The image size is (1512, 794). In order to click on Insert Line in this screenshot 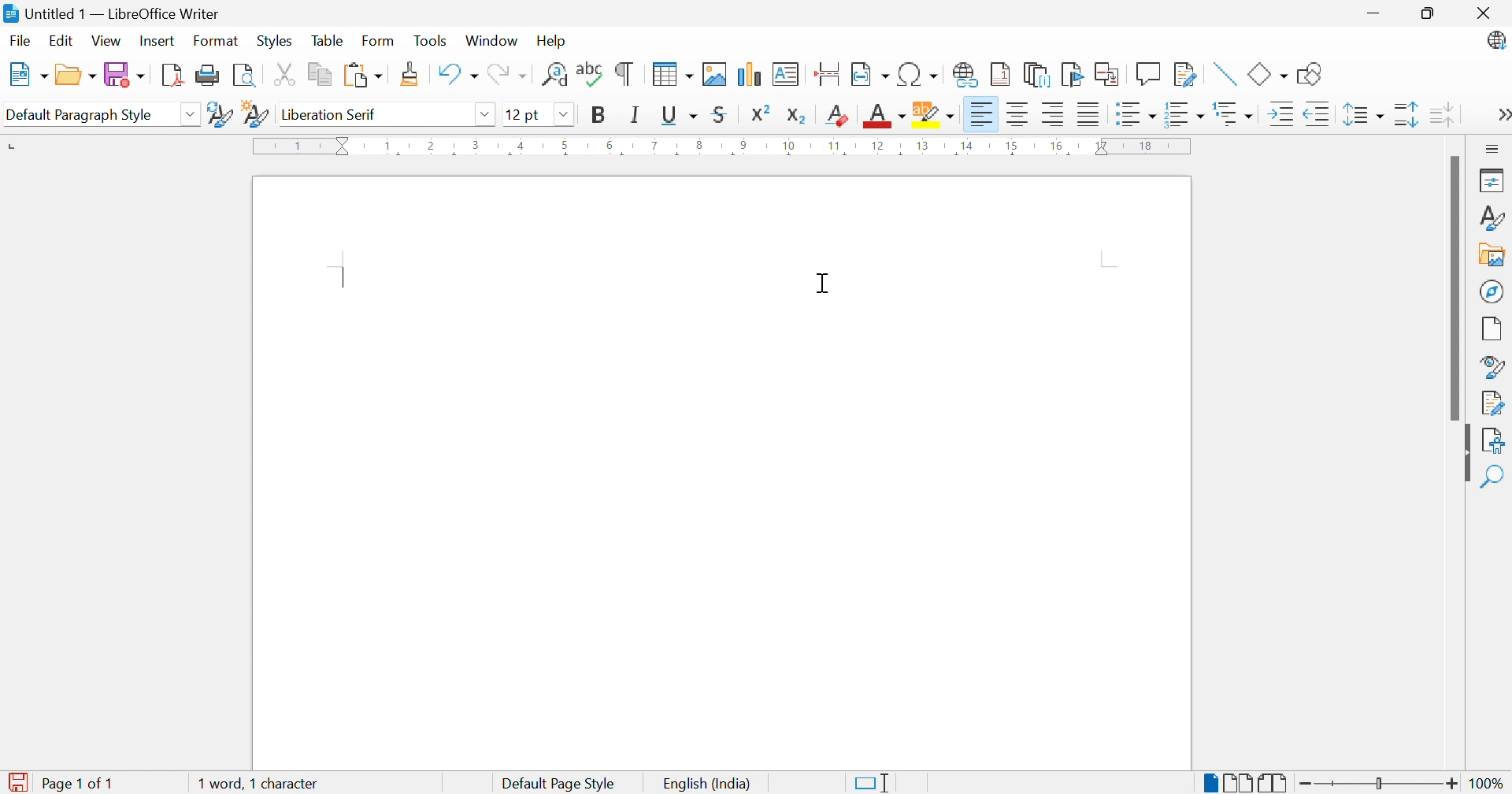, I will do `click(1225, 73)`.